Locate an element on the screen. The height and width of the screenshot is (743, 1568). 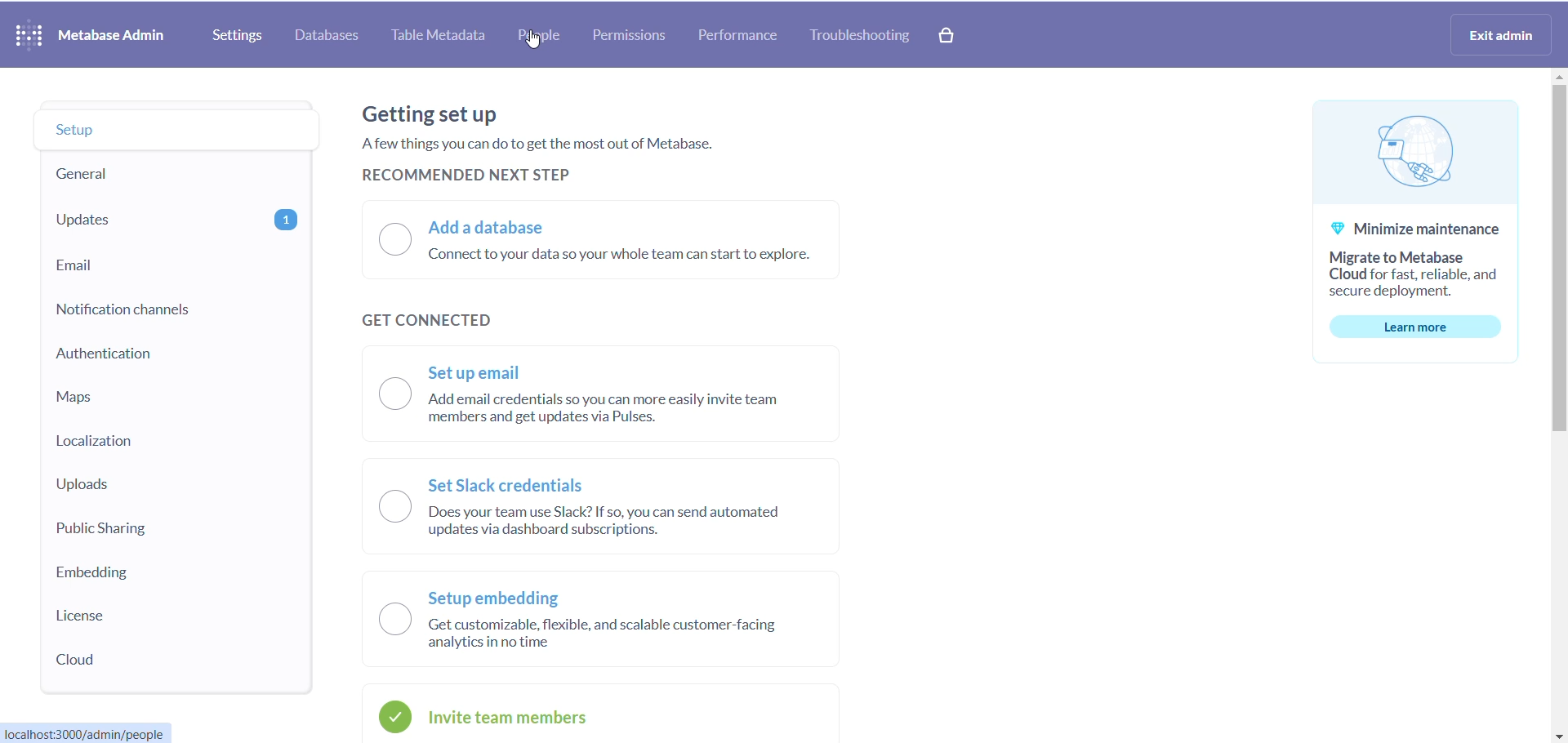
permissions is located at coordinates (633, 36).